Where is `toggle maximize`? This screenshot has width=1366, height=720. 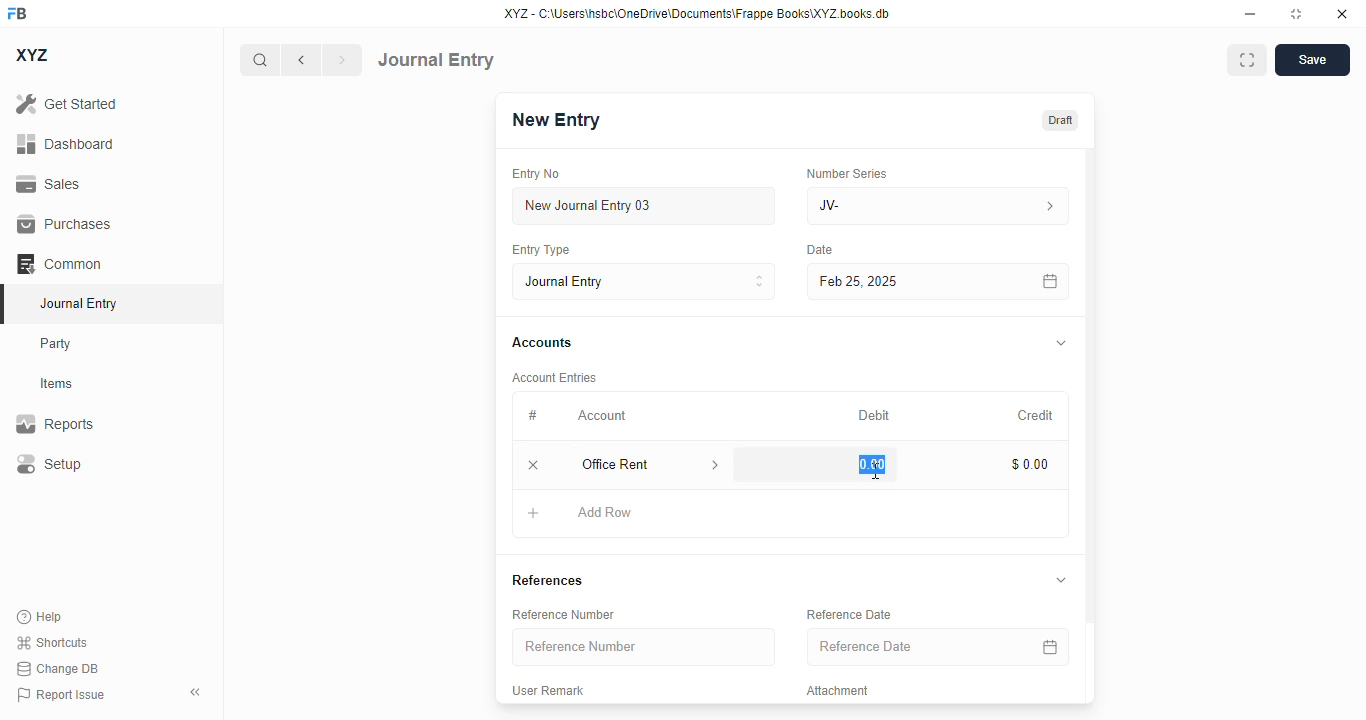 toggle maximize is located at coordinates (1295, 14).